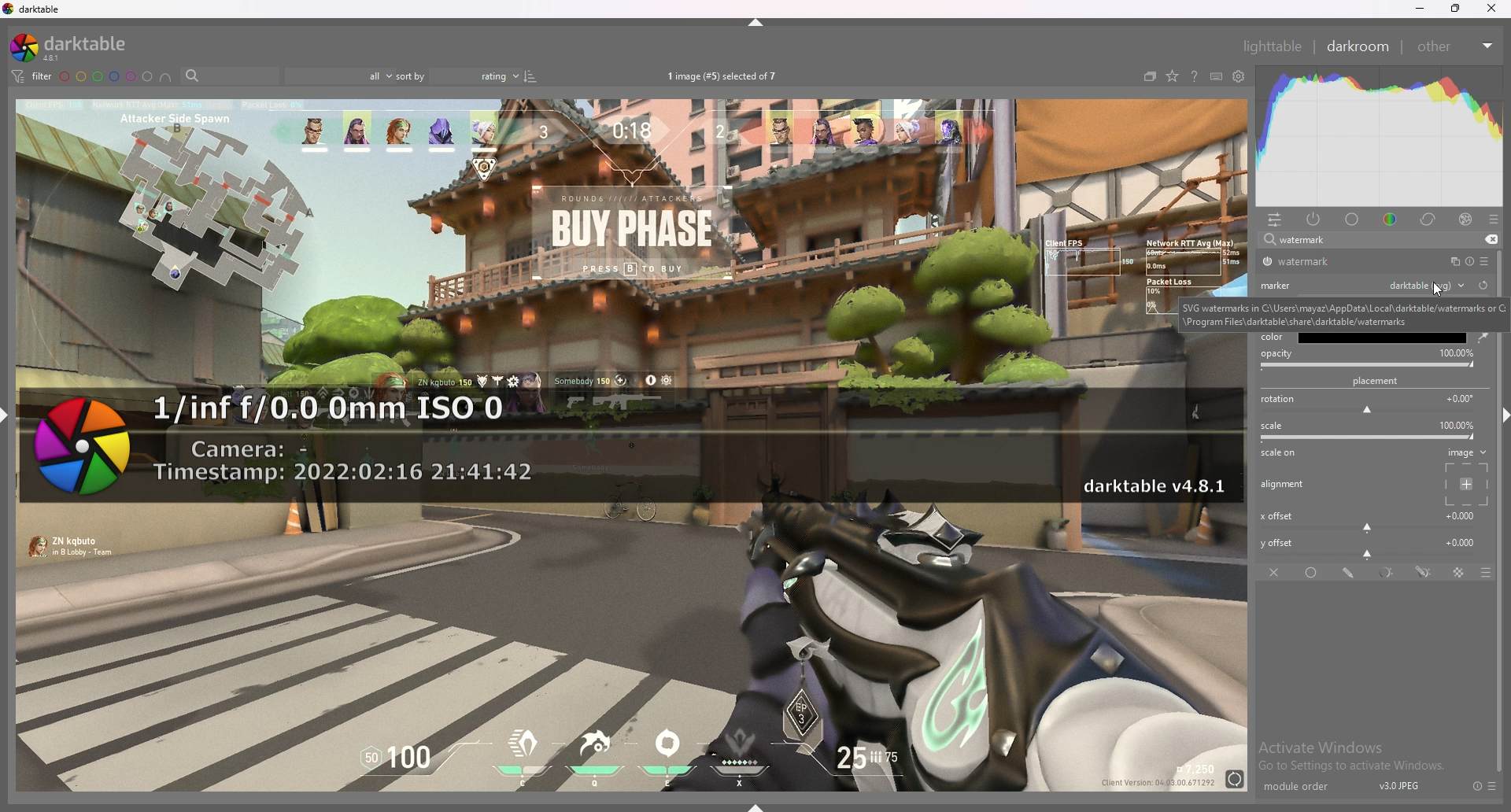  Describe the element at coordinates (1239, 77) in the screenshot. I see `show global preference` at that location.